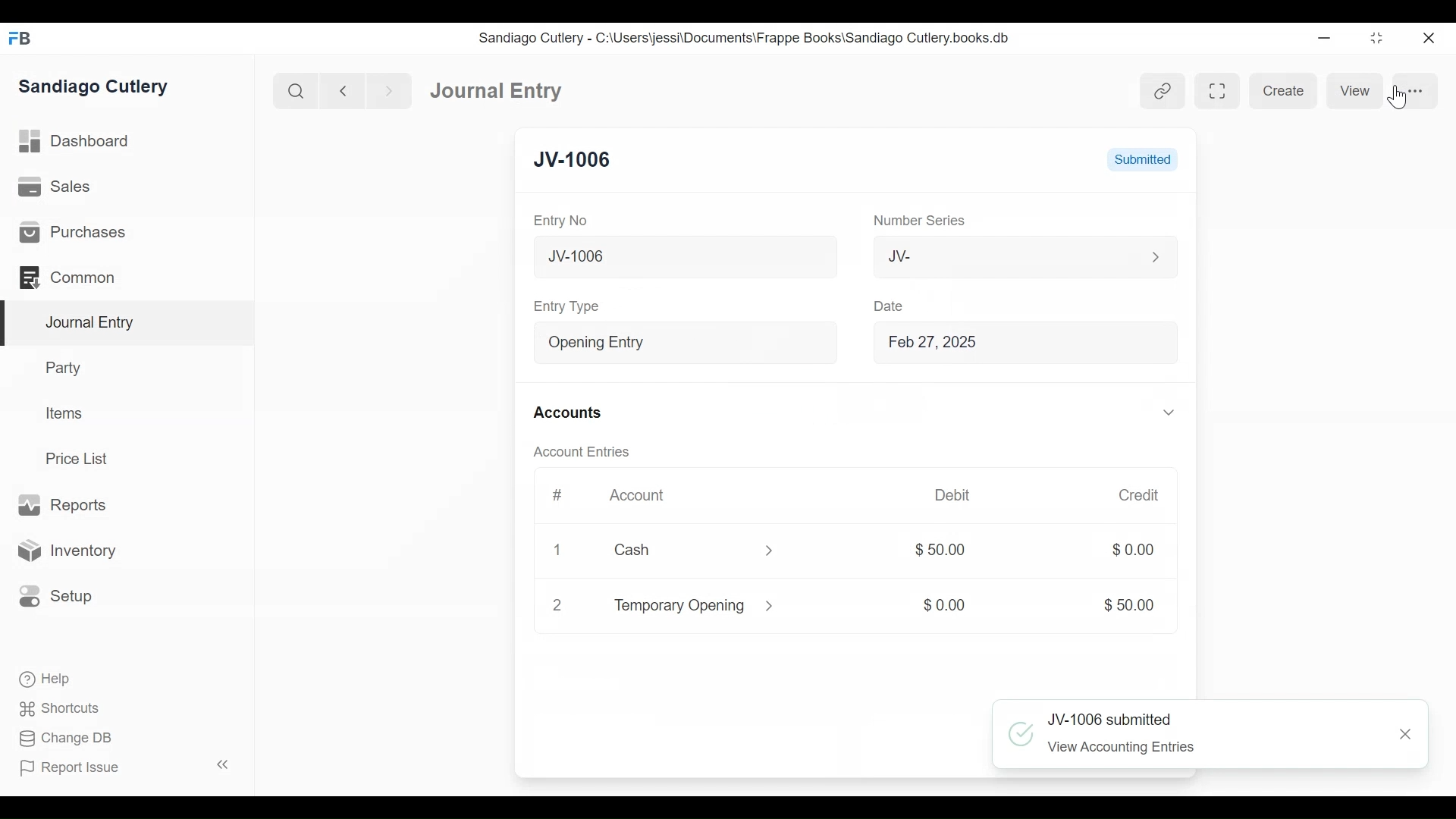 The height and width of the screenshot is (819, 1456). Describe the element at coordinates (679, 257) in the screenshot. I see `New Journal Entry 03` at that location.